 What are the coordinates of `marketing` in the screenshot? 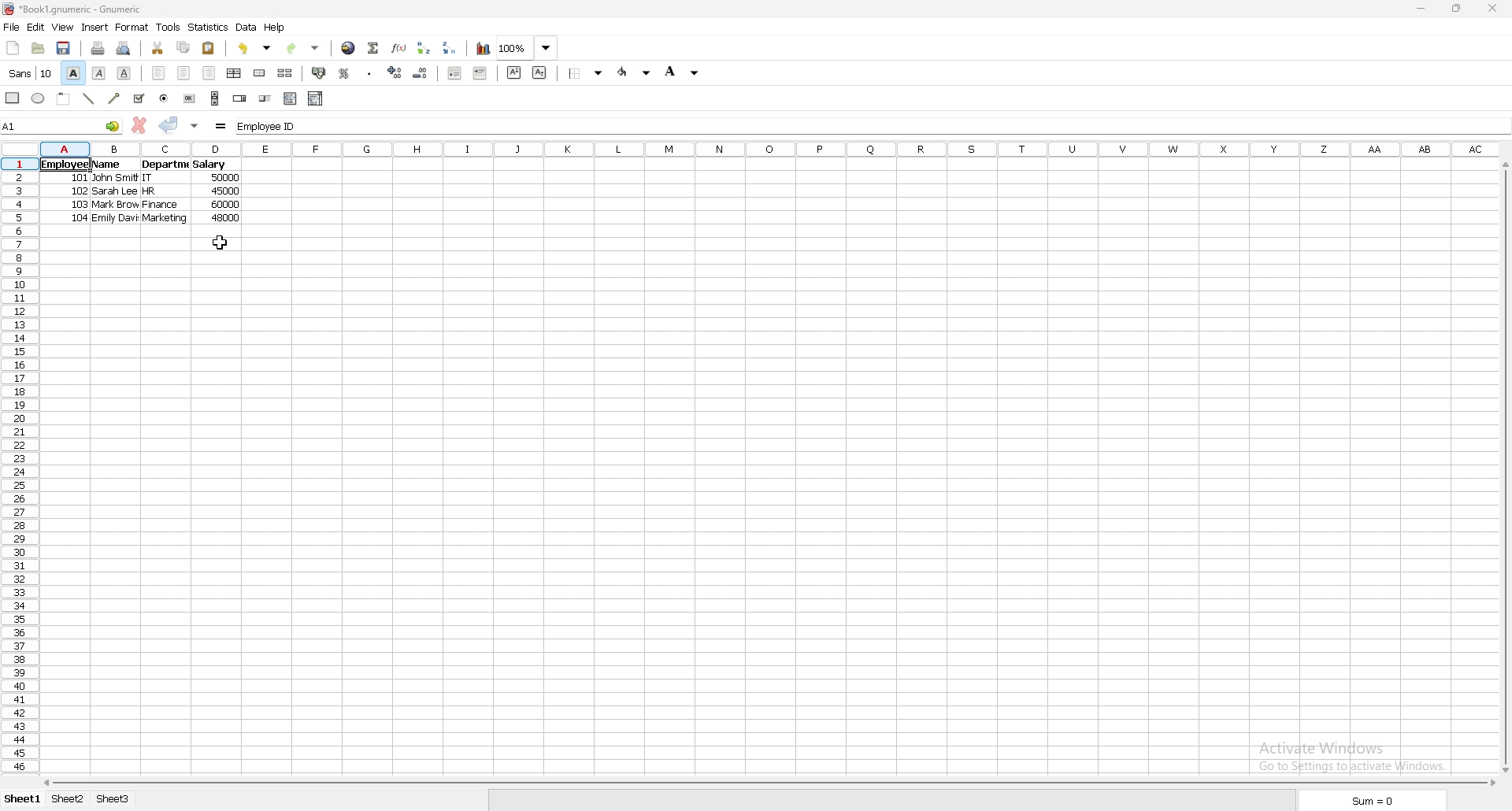 It's located at (168, 218).